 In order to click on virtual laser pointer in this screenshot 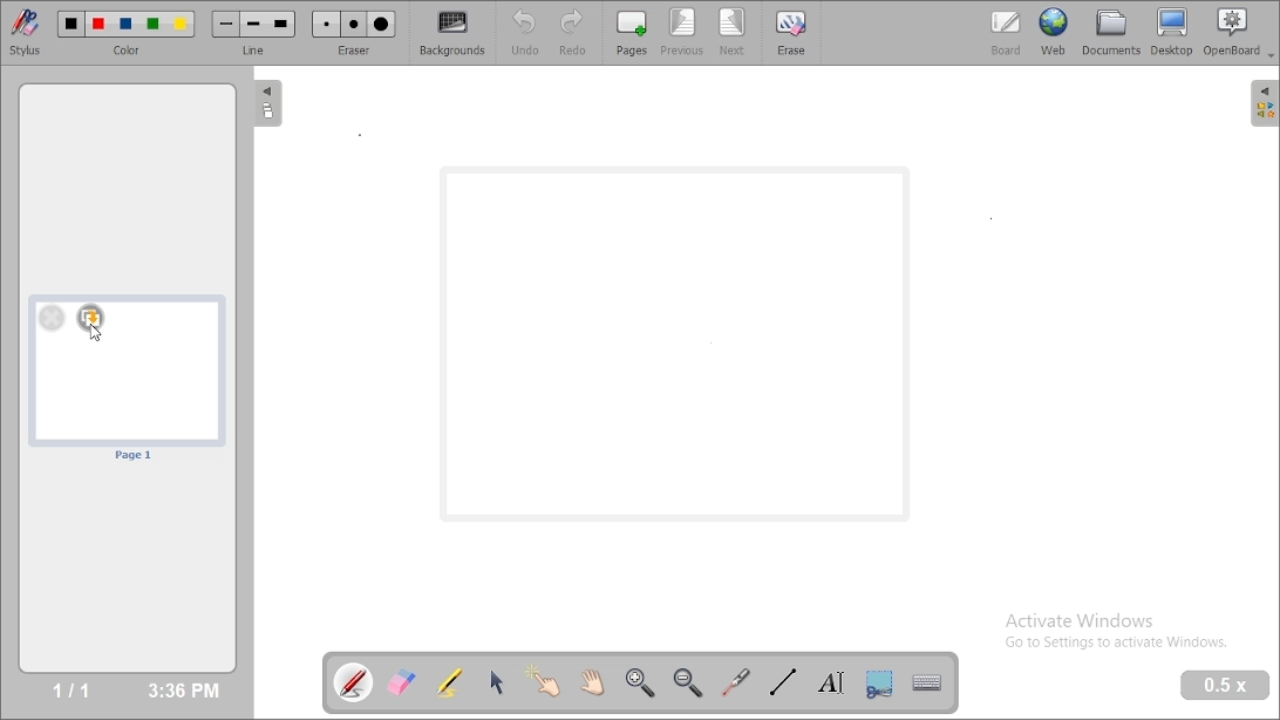, I will do `click(736, 682)`.